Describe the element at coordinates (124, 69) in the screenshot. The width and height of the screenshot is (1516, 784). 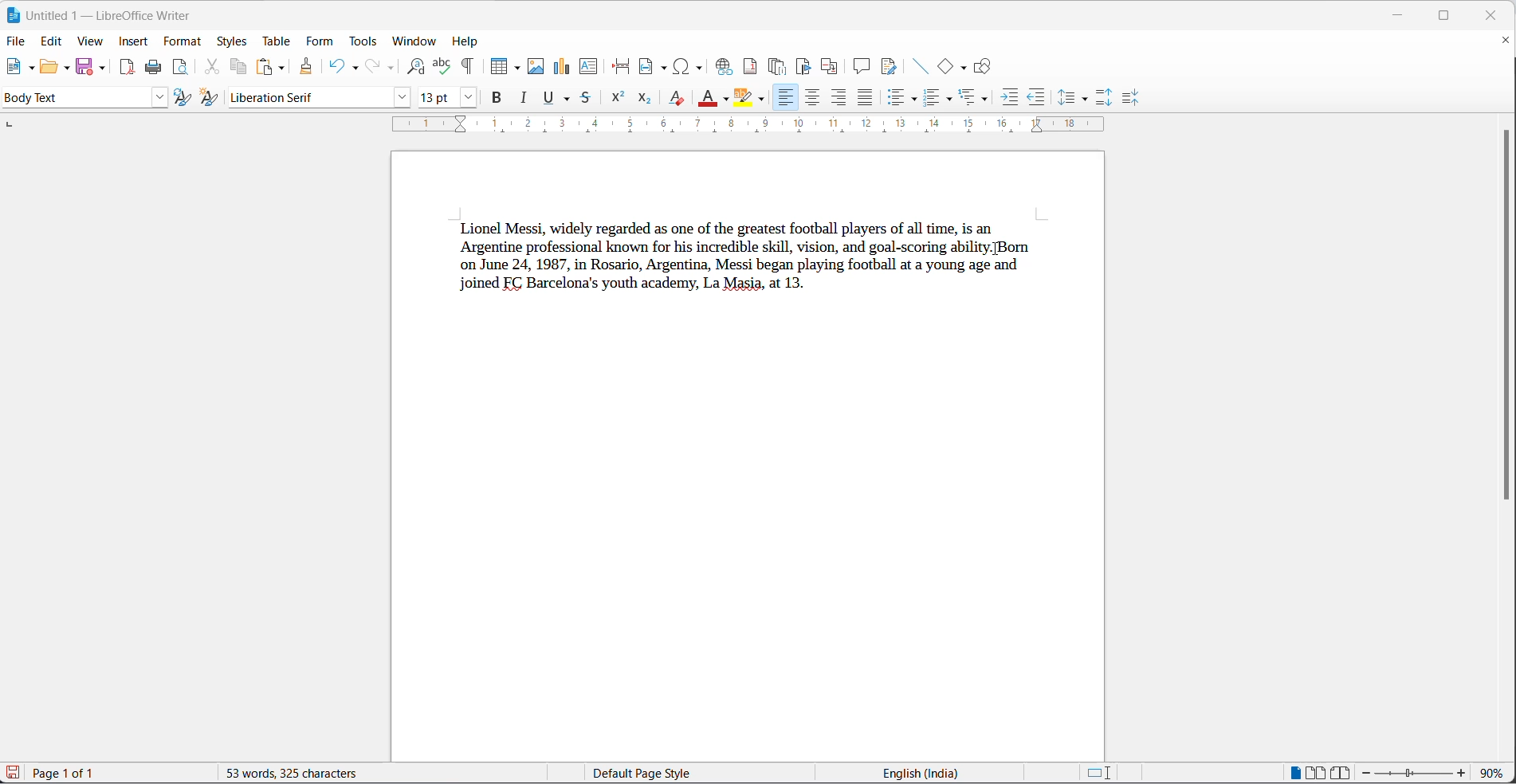
I see `export as pdf` at that location.